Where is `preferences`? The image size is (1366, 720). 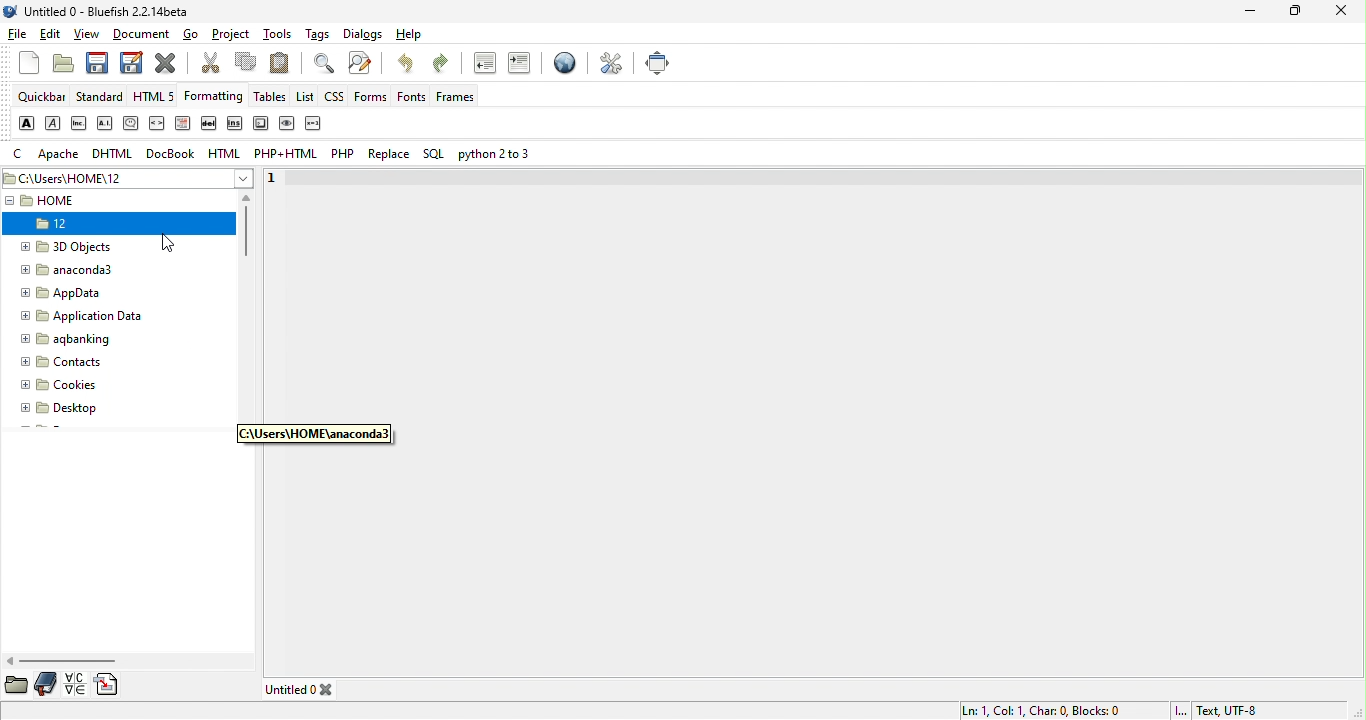
preferences is located at coordinates (610, 65).